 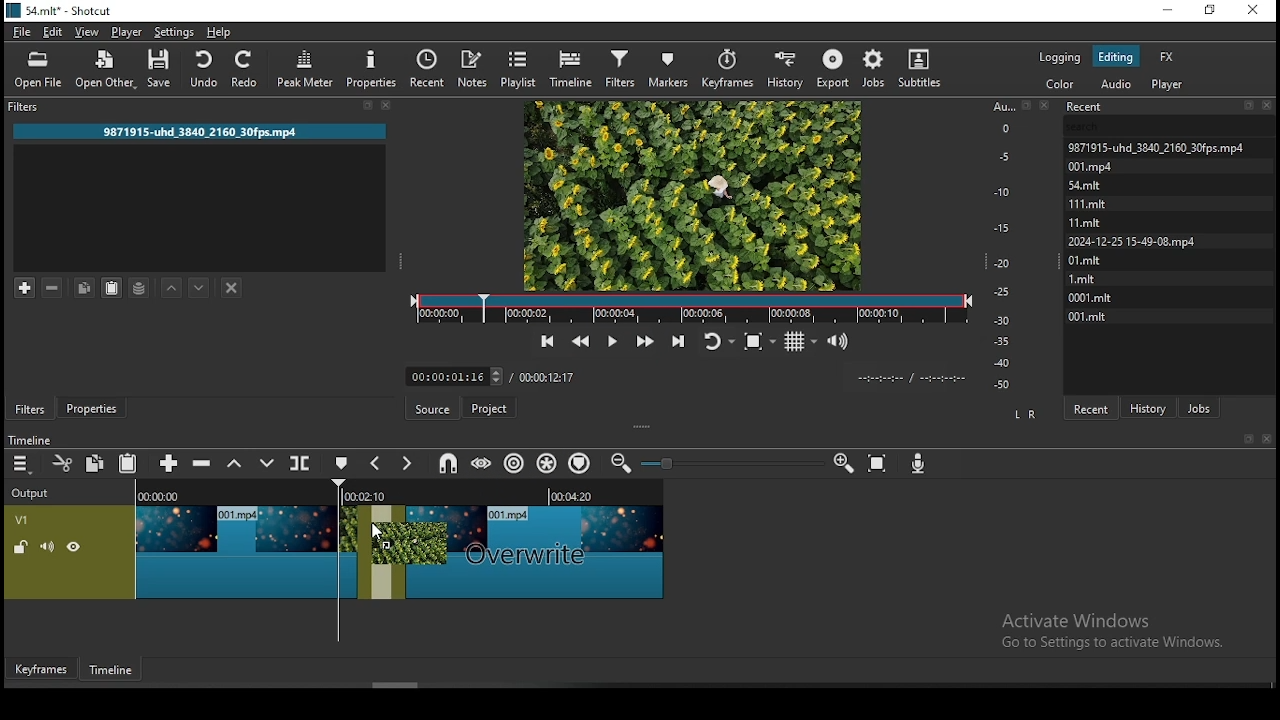 What do you see at coordinates (690, 308) in the screenshot?
I see `Progress bar` at bounding box center [690, 308].